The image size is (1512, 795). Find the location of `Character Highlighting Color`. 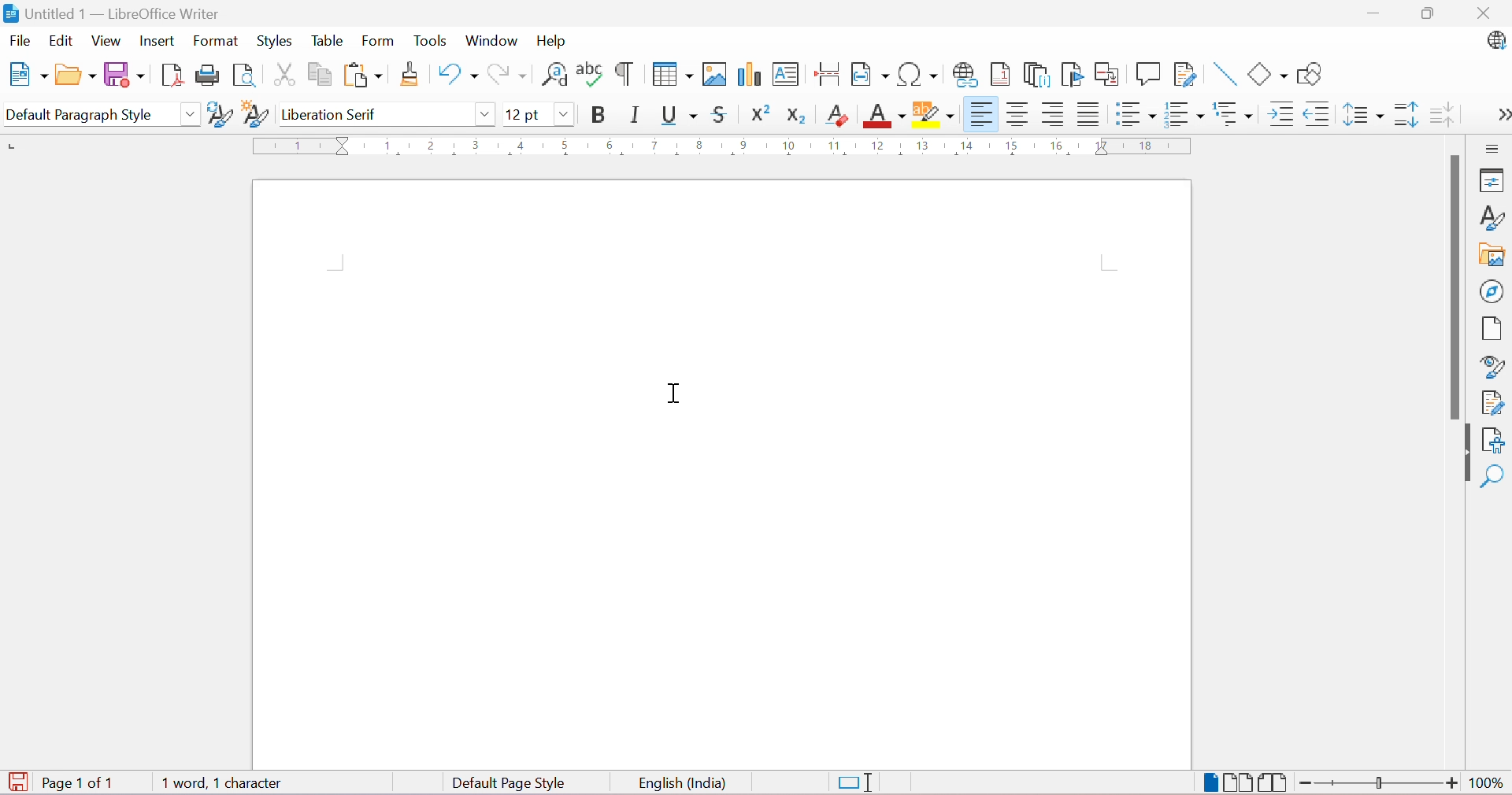

Character Highlighting Color is located at coordinates (932, 116).